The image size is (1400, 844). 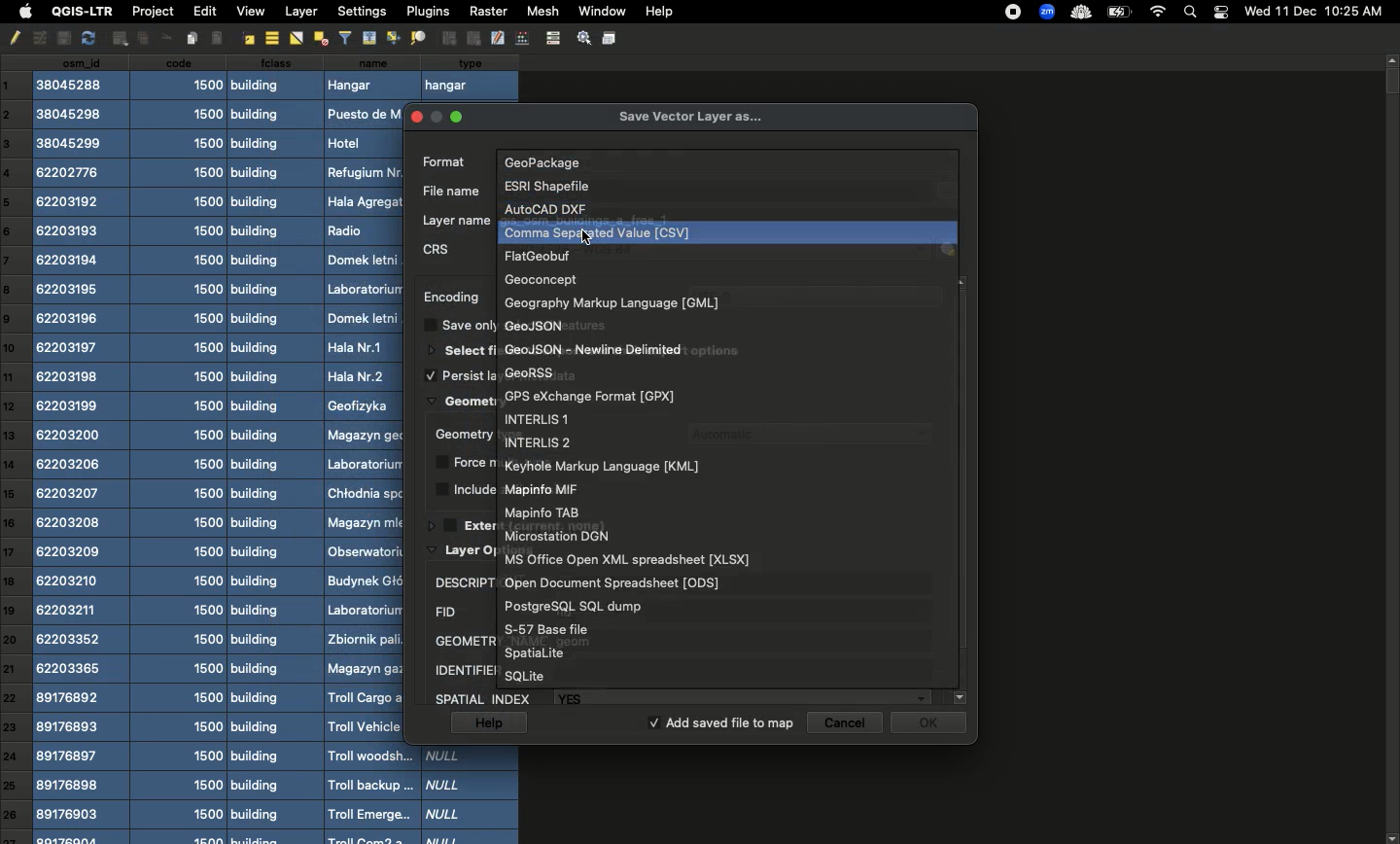 I want to click on Insert Ellipse, so click(x=118, y=38).